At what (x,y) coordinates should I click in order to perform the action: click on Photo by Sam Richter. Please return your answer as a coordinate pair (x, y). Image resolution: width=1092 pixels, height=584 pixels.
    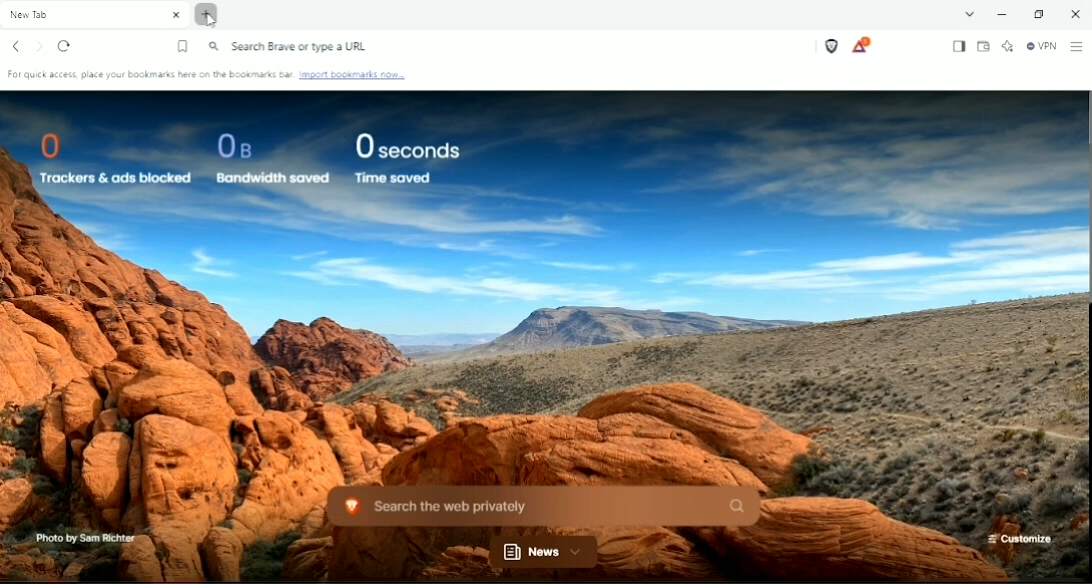
    Looking at the image, I should click on (85, 537).